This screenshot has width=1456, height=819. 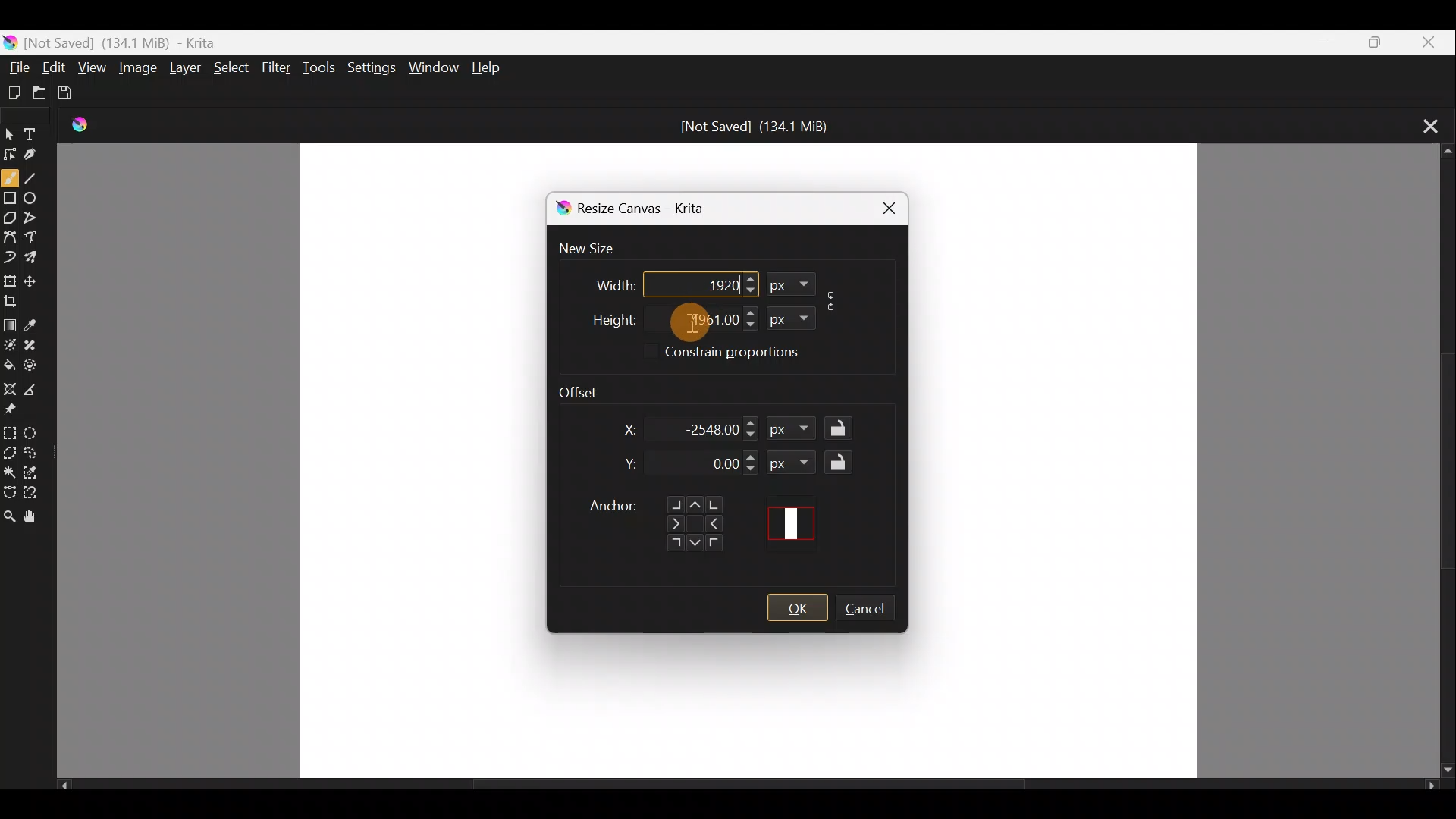 What do you see at coordinates (38, 260) in the screenshot?
I see `Multibrush tool` at bounding box center [38, 260].